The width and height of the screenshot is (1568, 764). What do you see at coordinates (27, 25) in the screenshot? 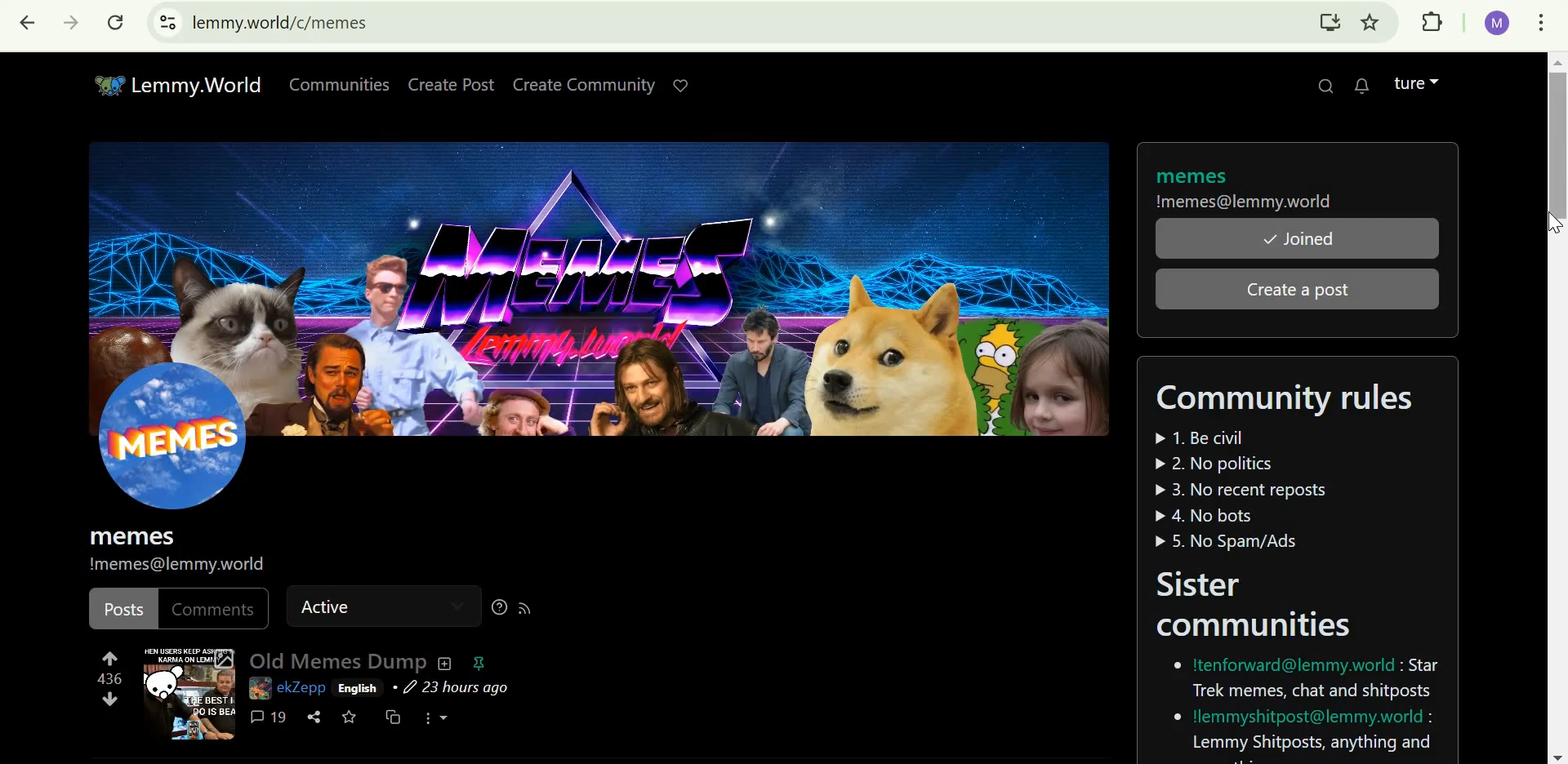
I see `Click to go back, hold to see history` at bounding box center [27, 25].